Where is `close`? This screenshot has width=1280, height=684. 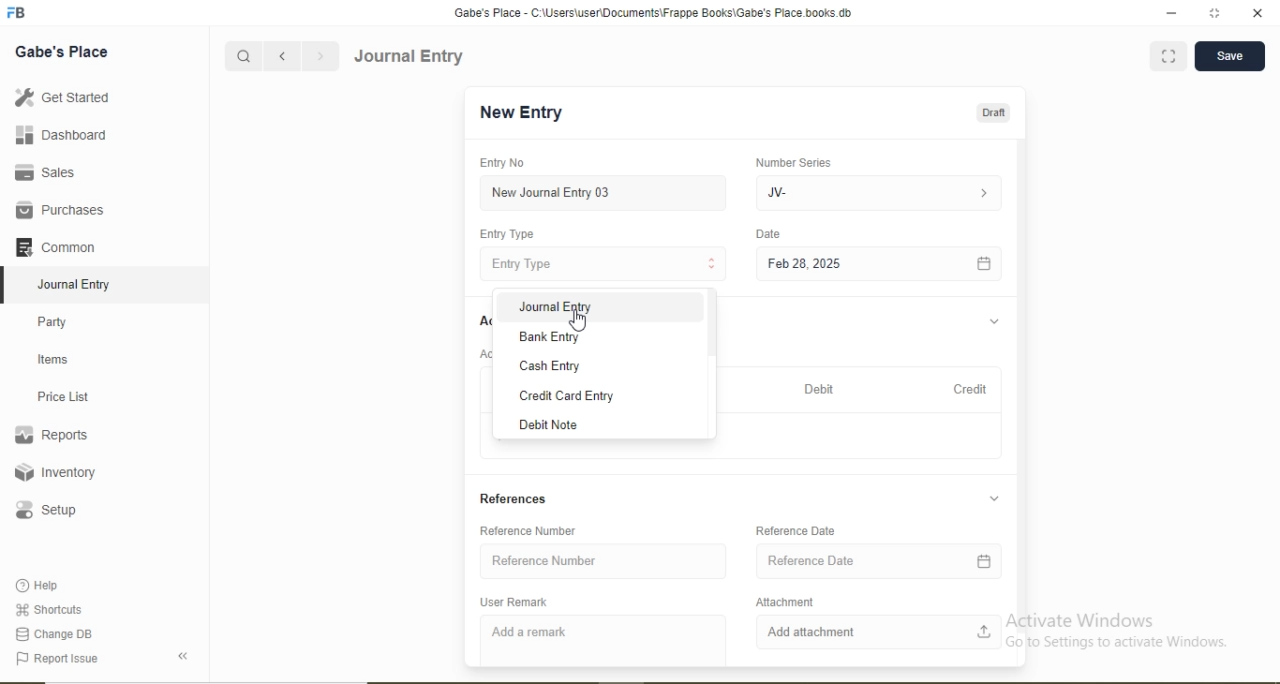 close is located at coordinates (1259, 13).